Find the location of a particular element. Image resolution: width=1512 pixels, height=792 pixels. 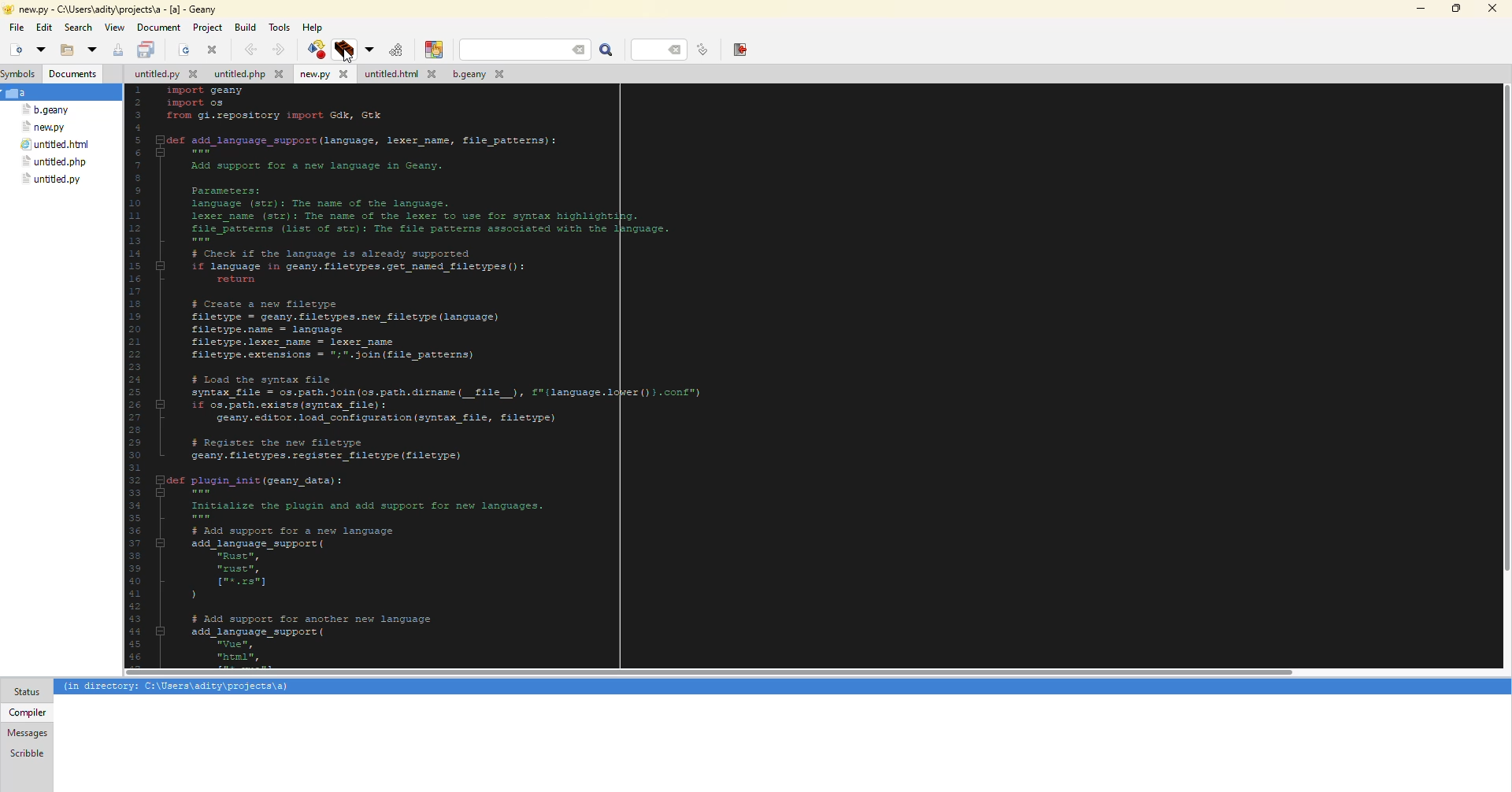

forward is located at coordinates (278, 49).